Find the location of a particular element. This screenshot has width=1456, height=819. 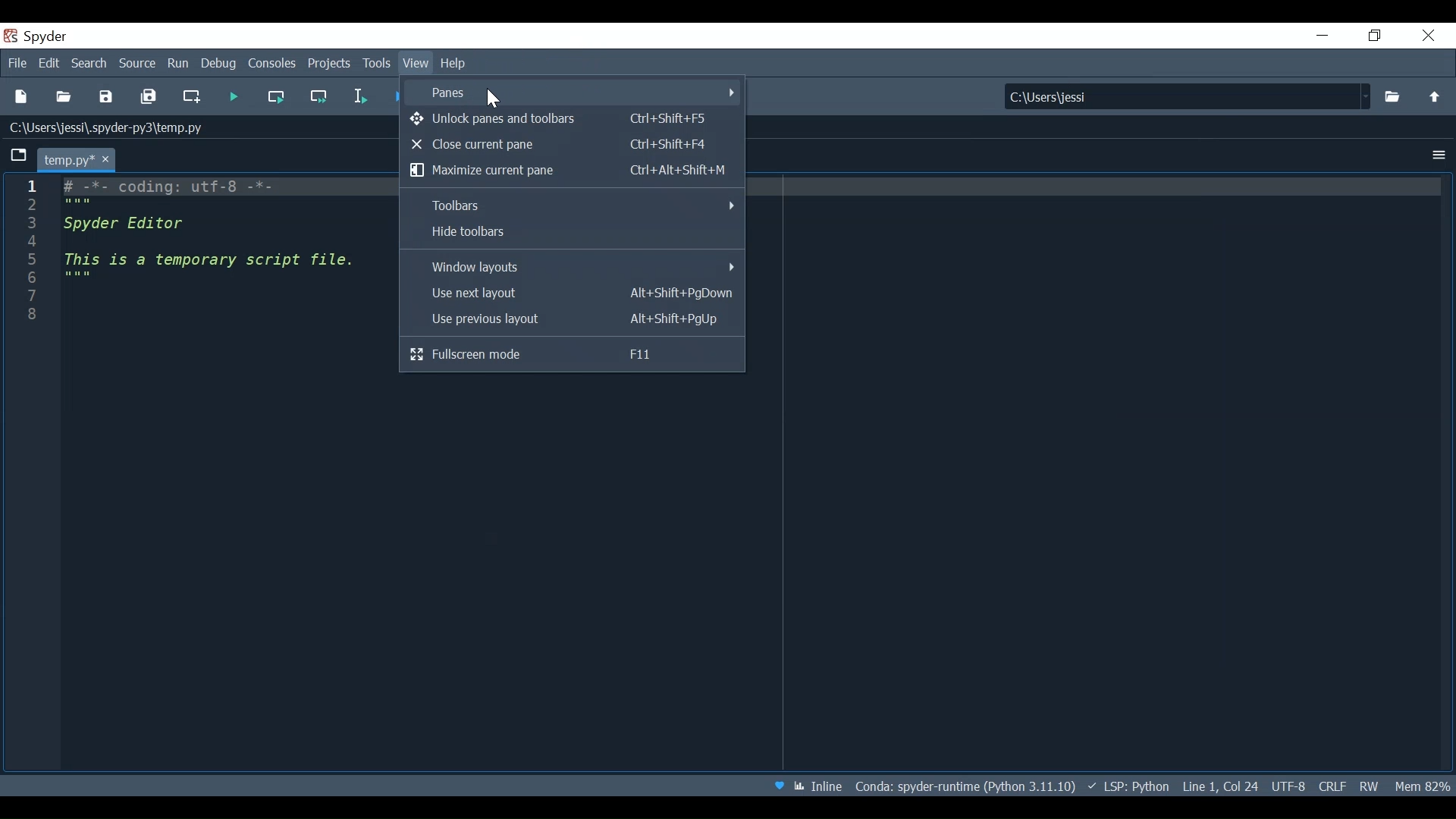

Projects is located at coordinates (331, 64).